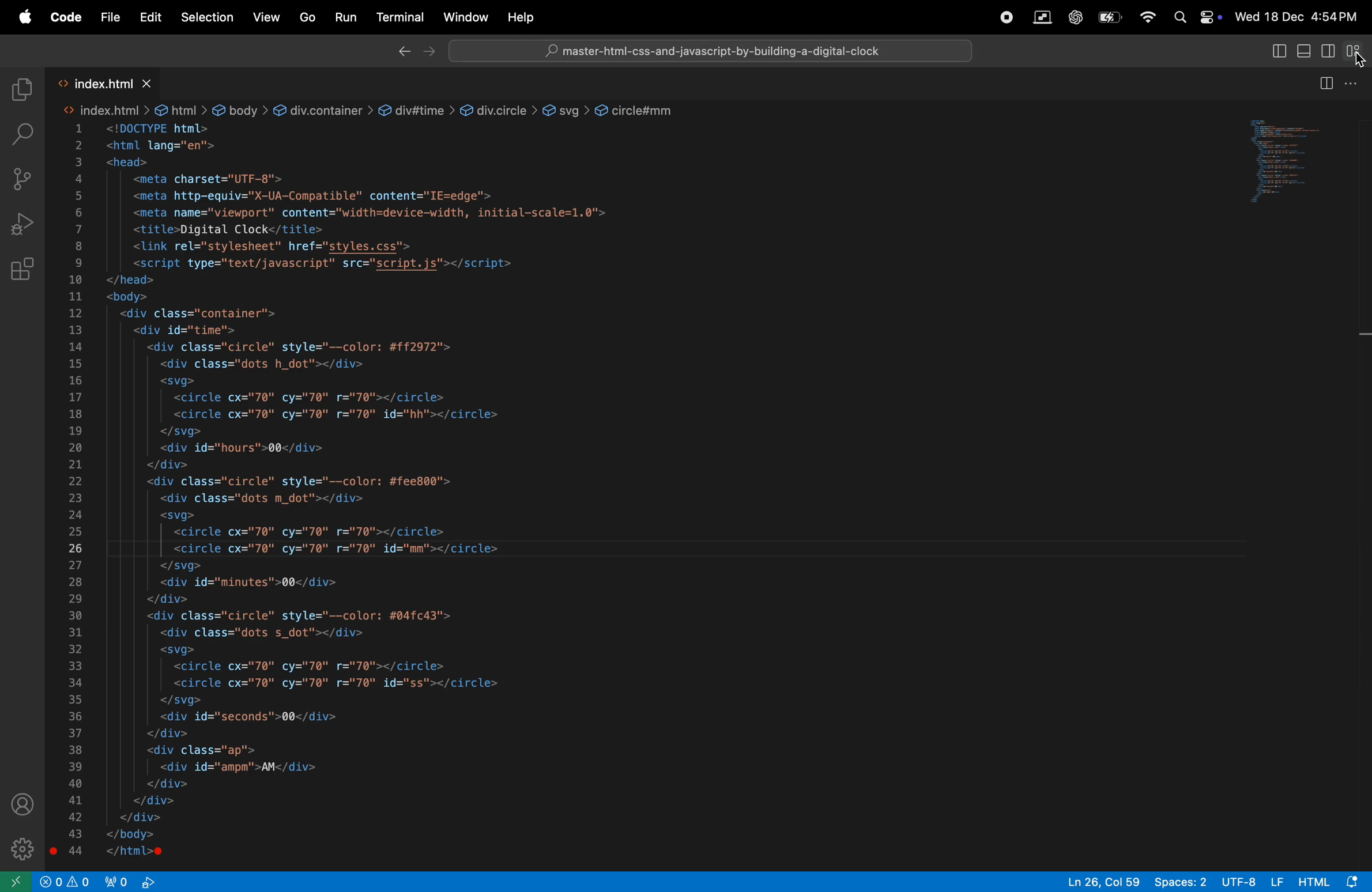  Describe the element at coordinates (150, 18) in the screenshot. I see `Edit` at that location.